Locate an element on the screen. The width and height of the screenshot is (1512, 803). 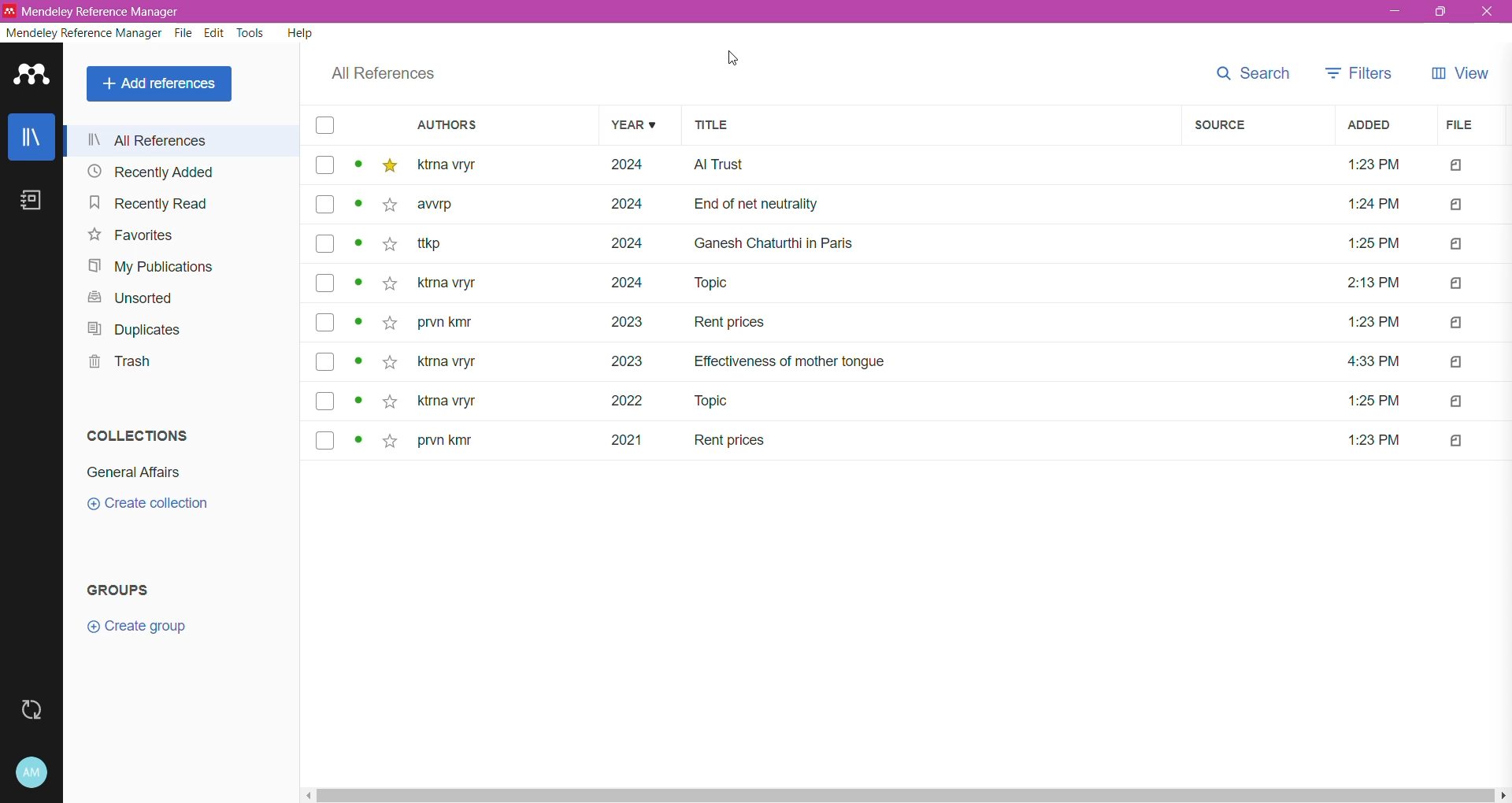
Collection Name is located at coordinates (131, 473).